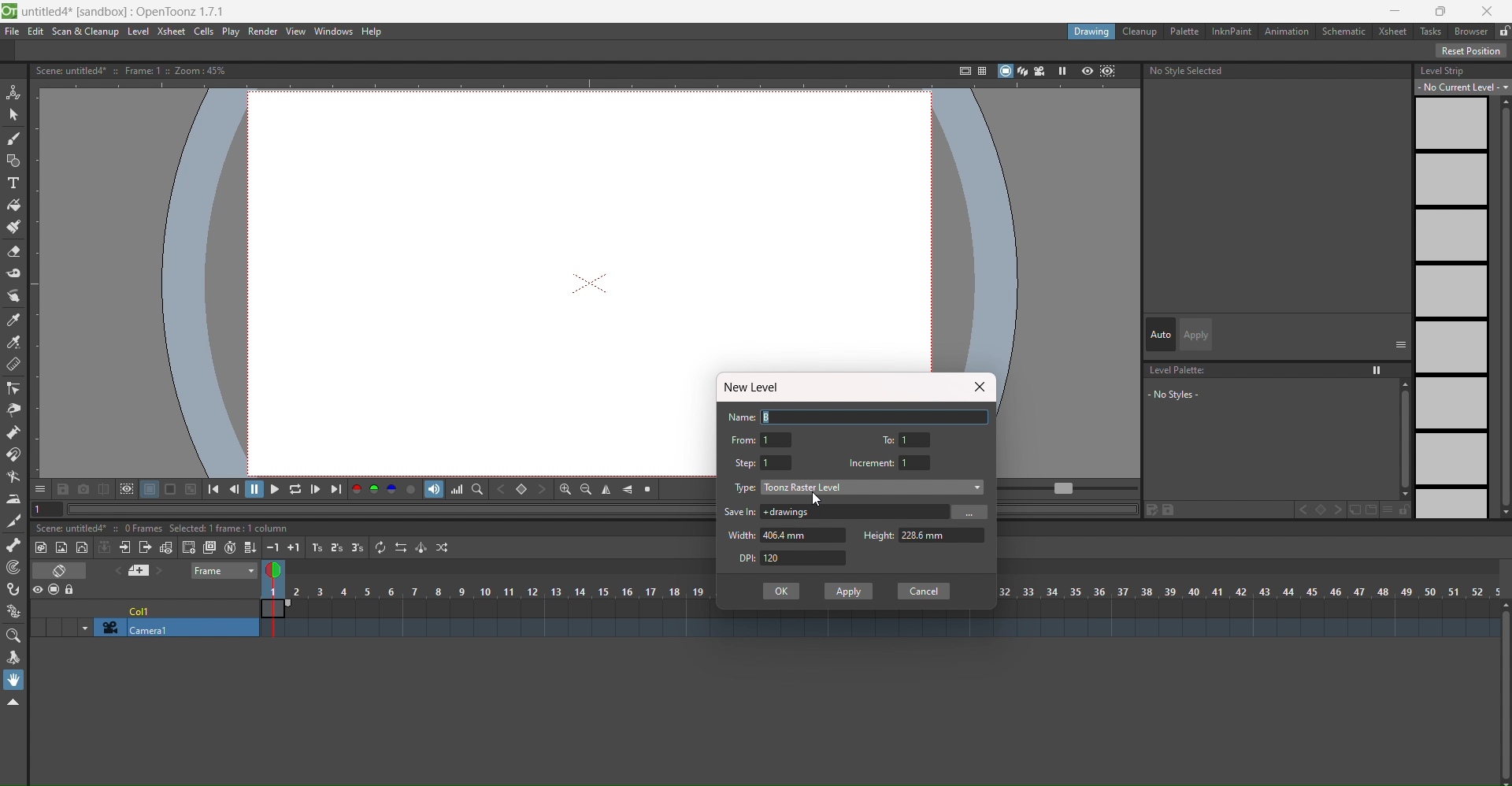 Image resolution: width=1512 pixels, height=786 pixels. Describe the element at coordinates (14, 251) in the screenshot. I see `eraser tool` at that location.